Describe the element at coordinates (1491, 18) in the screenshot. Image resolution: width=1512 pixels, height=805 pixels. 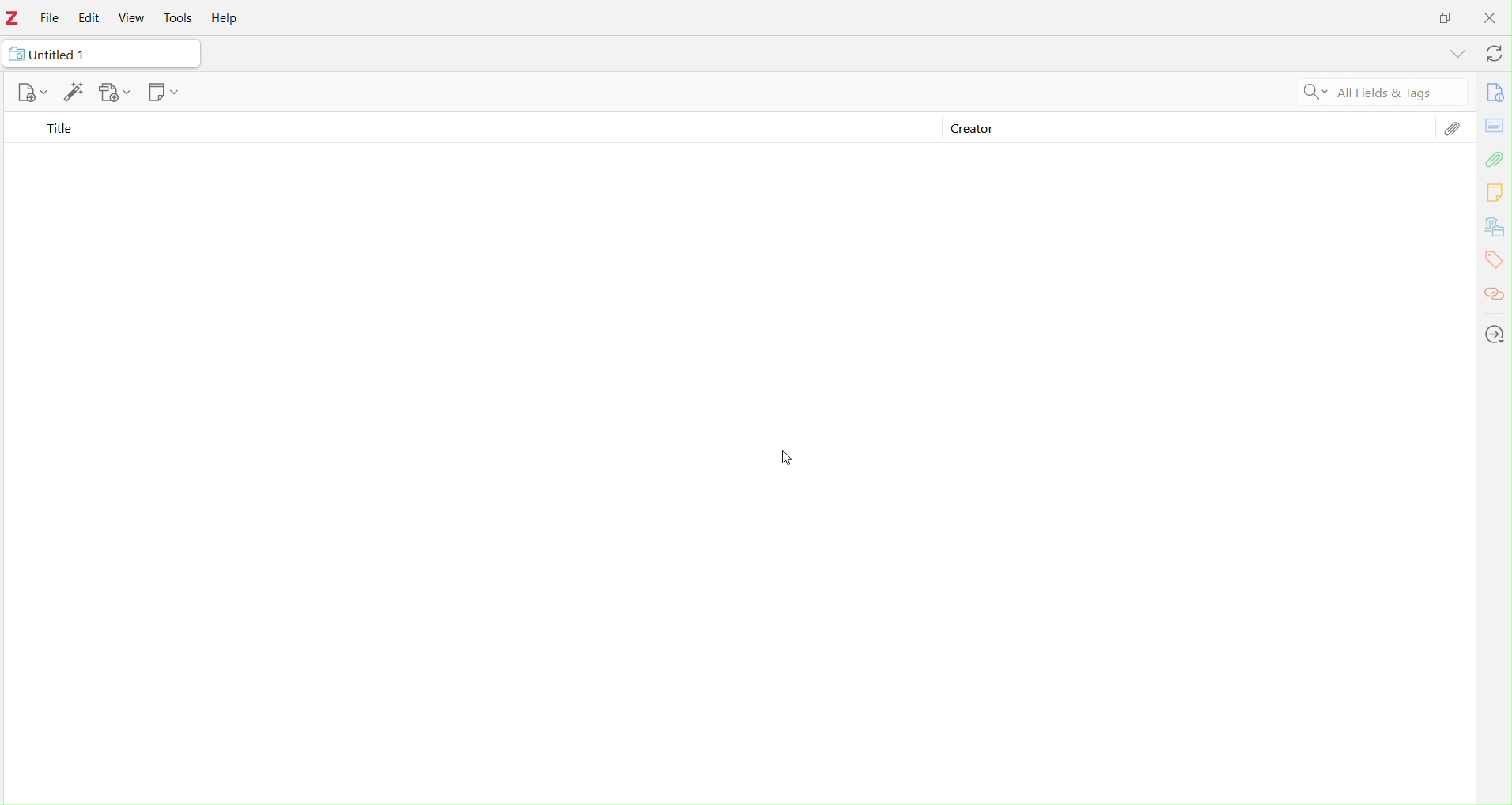
I see `Close` at that location.